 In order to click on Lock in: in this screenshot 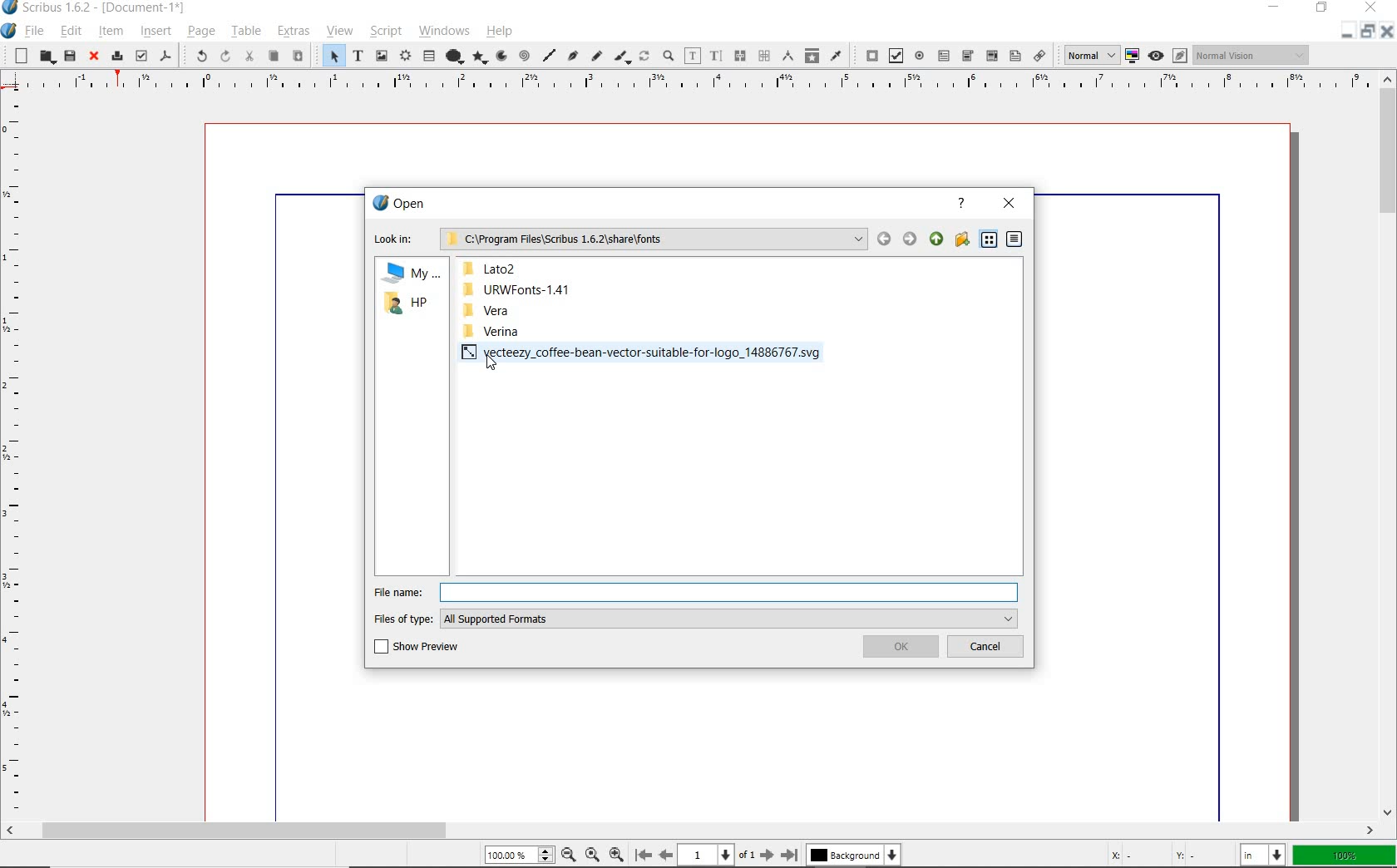, I will do `click(395, 239)`.